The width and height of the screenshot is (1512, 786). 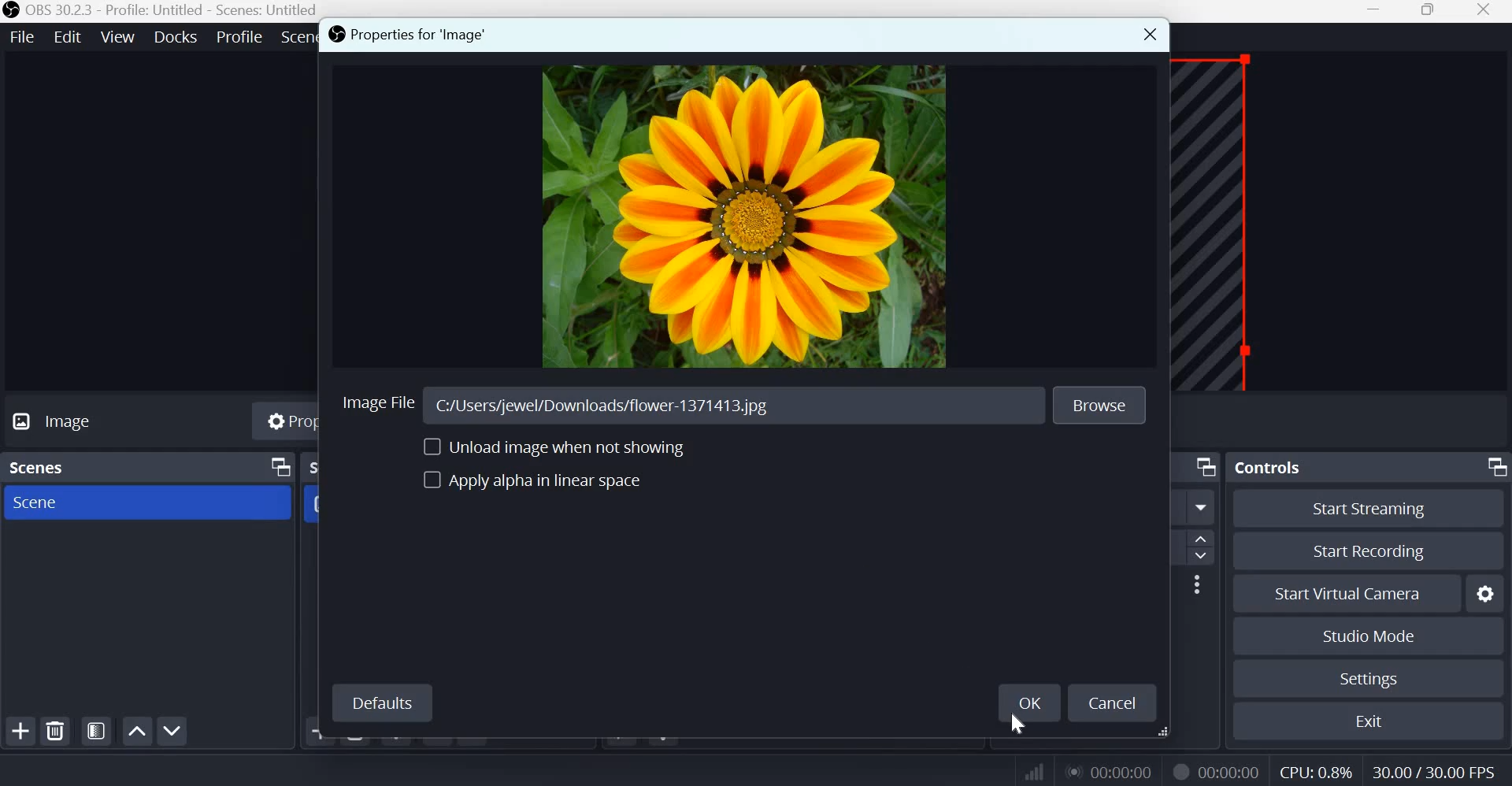 What do you see at coordinates (1202, 508) in the screenshot?
I see `More options` at bounding box center [1202, 508].